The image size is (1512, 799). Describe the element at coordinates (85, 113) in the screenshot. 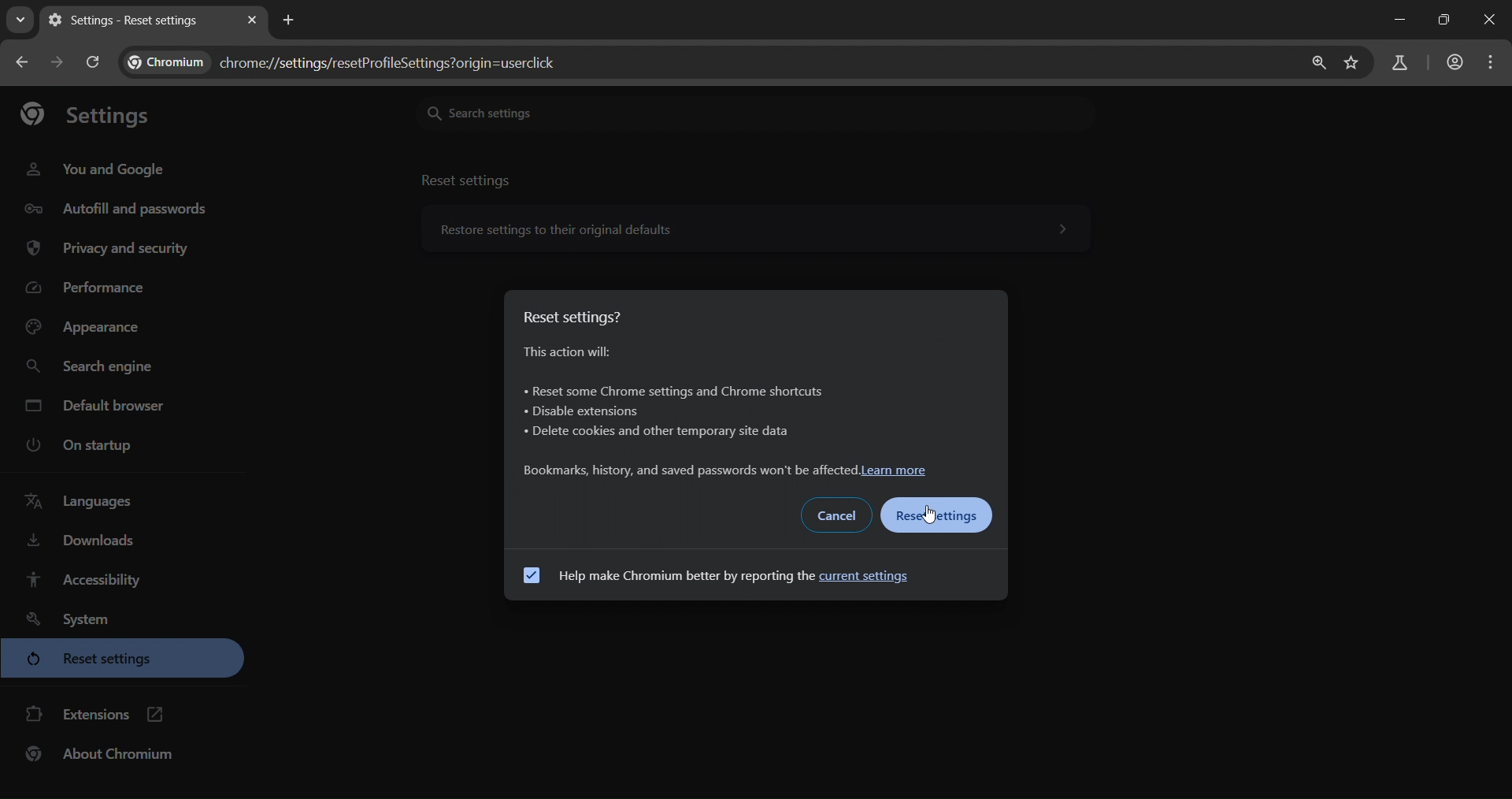

I see `settings` at that location.